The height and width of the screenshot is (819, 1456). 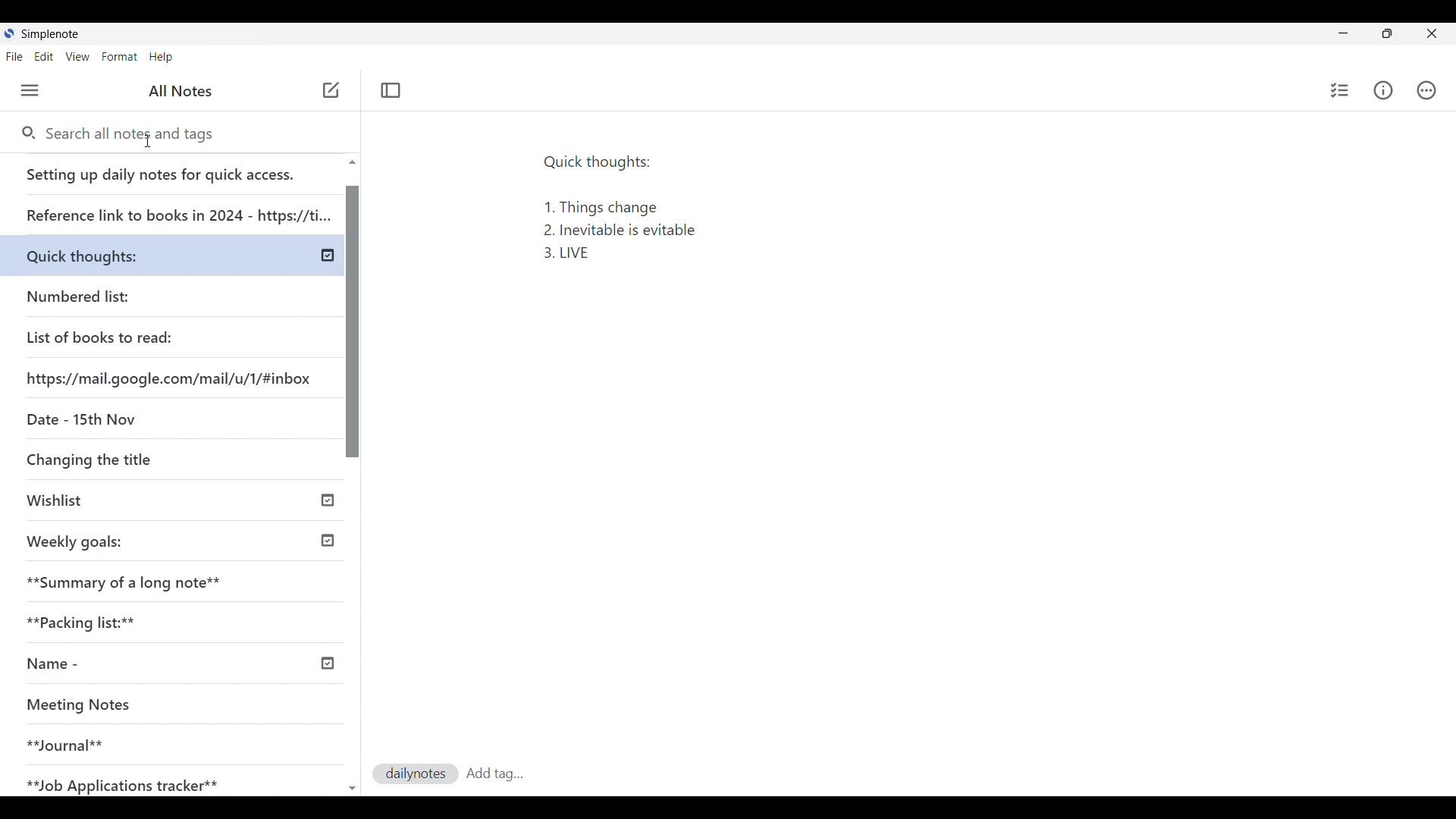 I want to click on Cursor position unchanged, so click(x=331, y=91).